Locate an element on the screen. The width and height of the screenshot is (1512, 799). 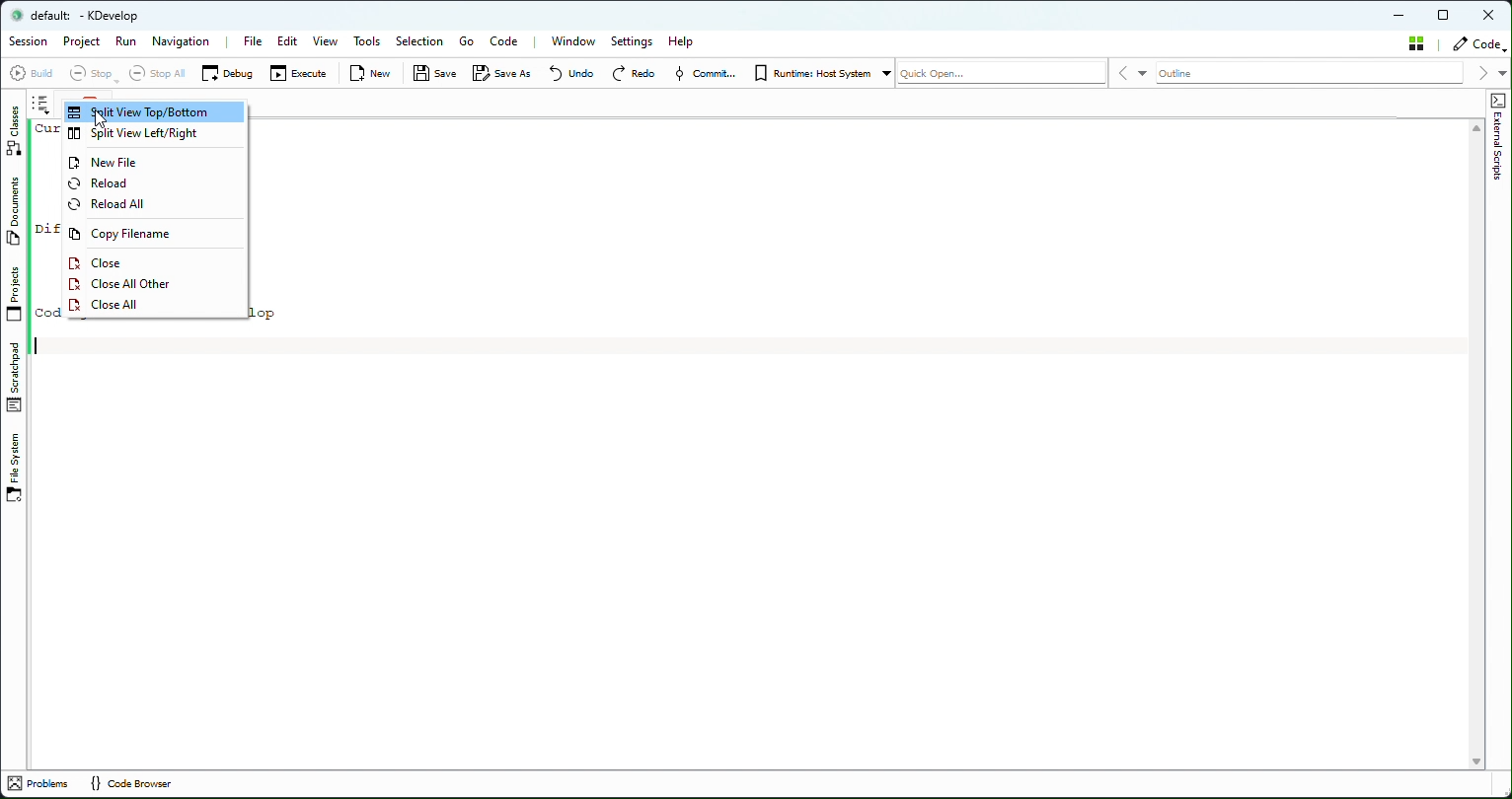
Browse tab is located at coordinates (40, 104).